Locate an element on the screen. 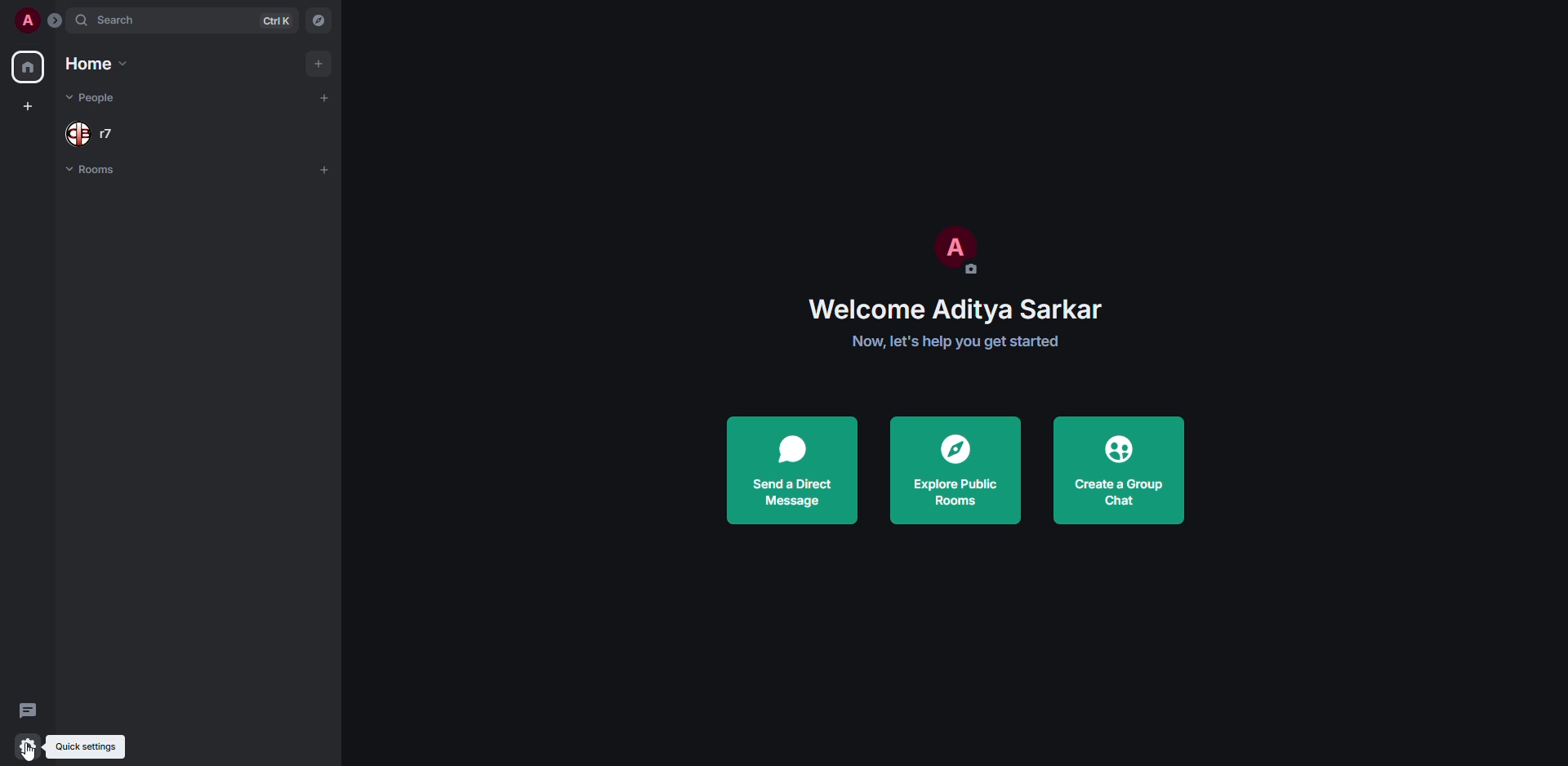 The width and height of the screenshot is (1568, 766). add is located at coordinates (325, 169).